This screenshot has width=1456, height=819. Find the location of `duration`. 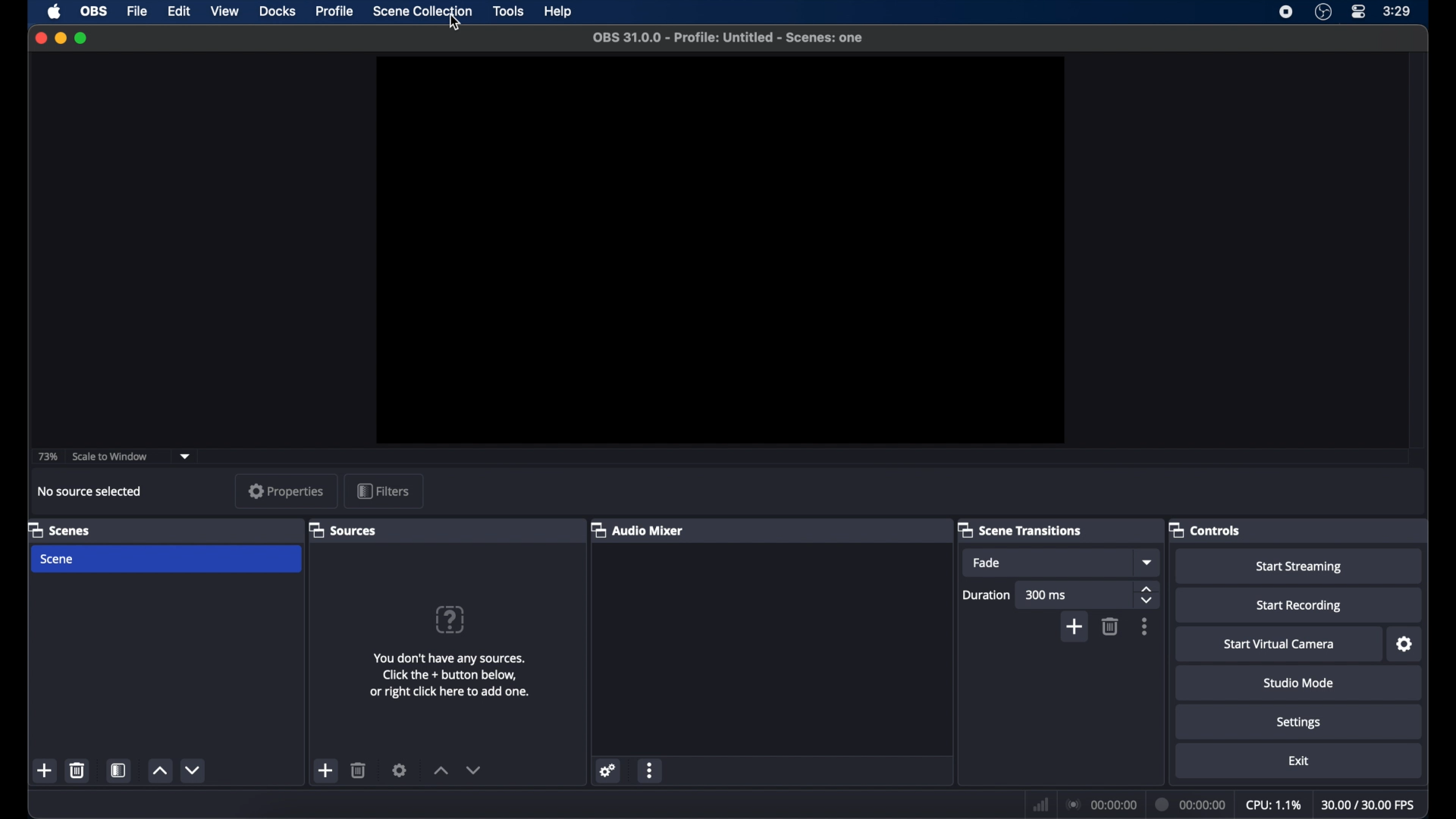

duration is located at coordinates (1191, 805).